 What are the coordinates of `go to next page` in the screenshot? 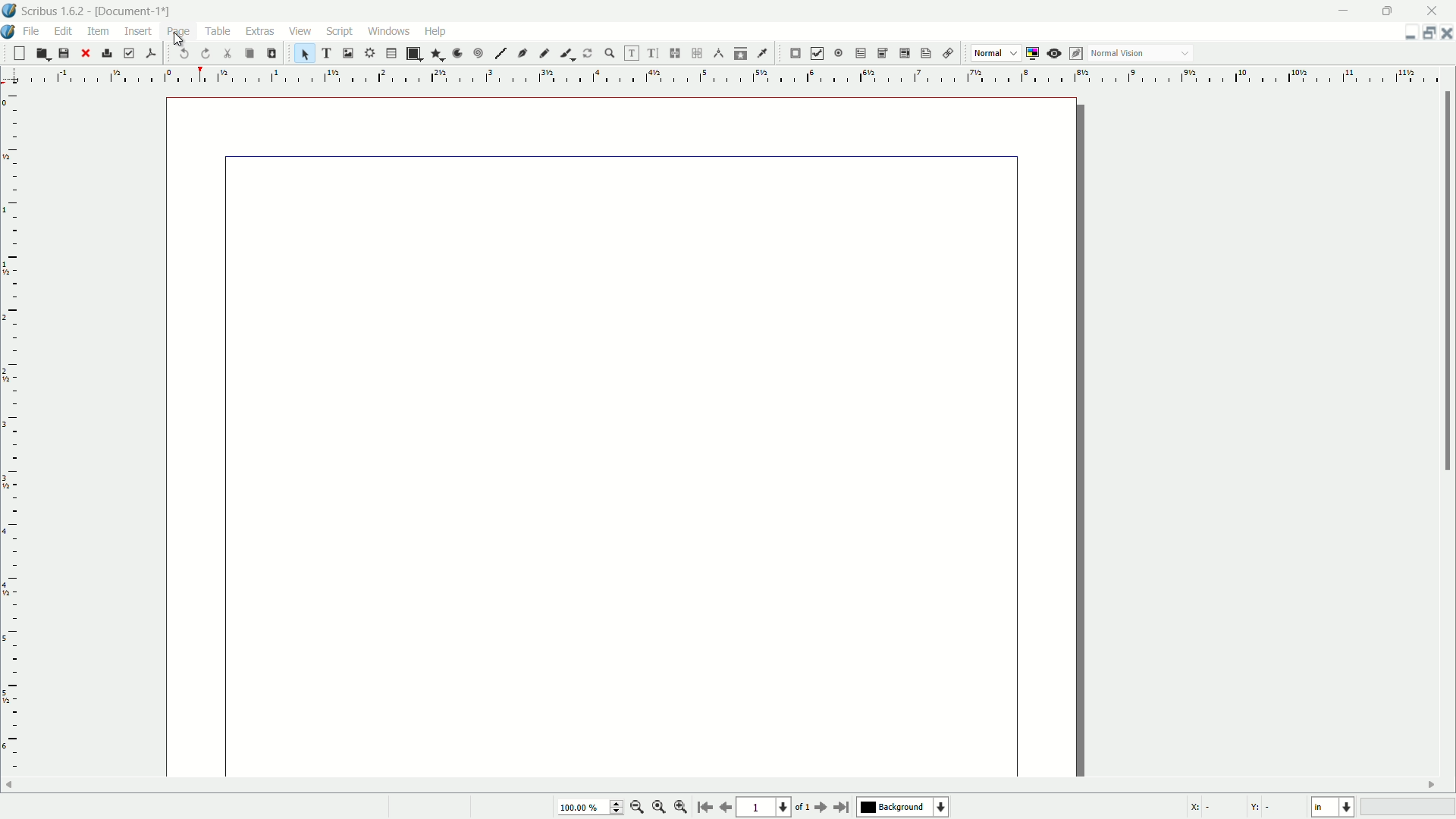 It's located at (818, 808).